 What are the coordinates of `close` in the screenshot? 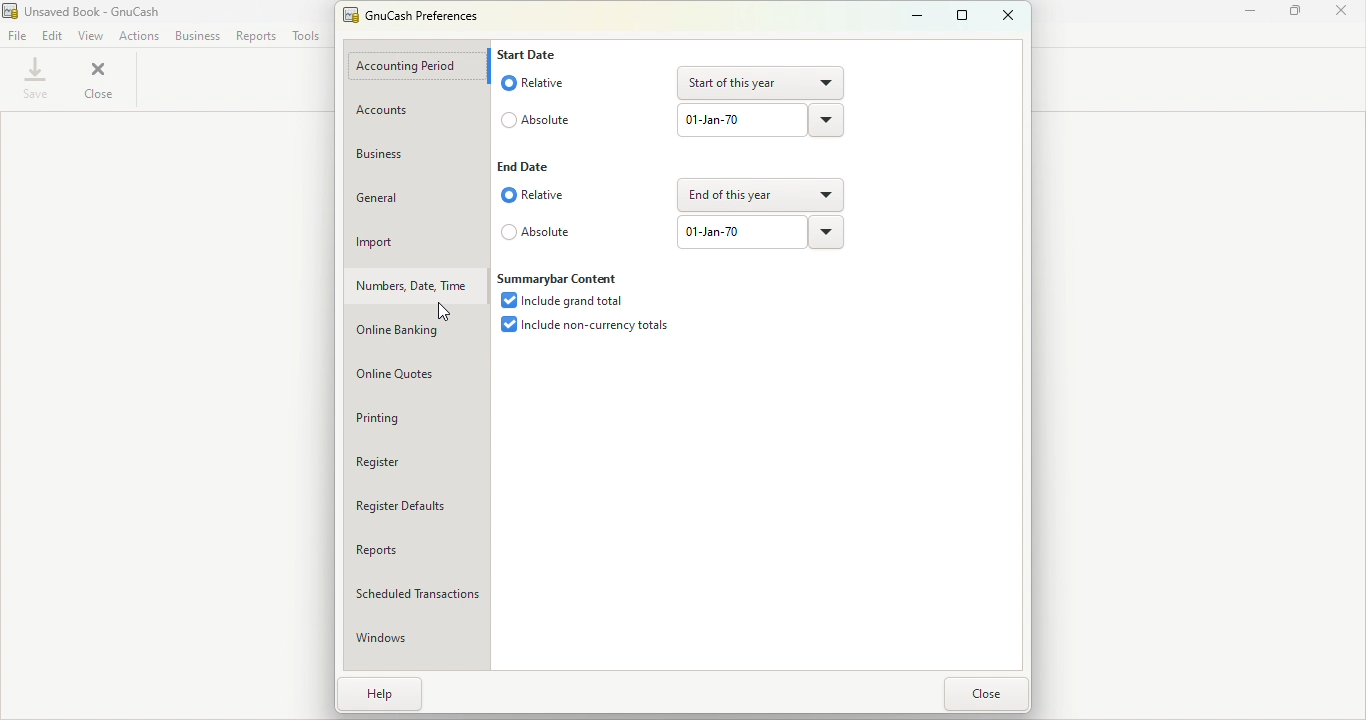 It's located at (1342, 14).